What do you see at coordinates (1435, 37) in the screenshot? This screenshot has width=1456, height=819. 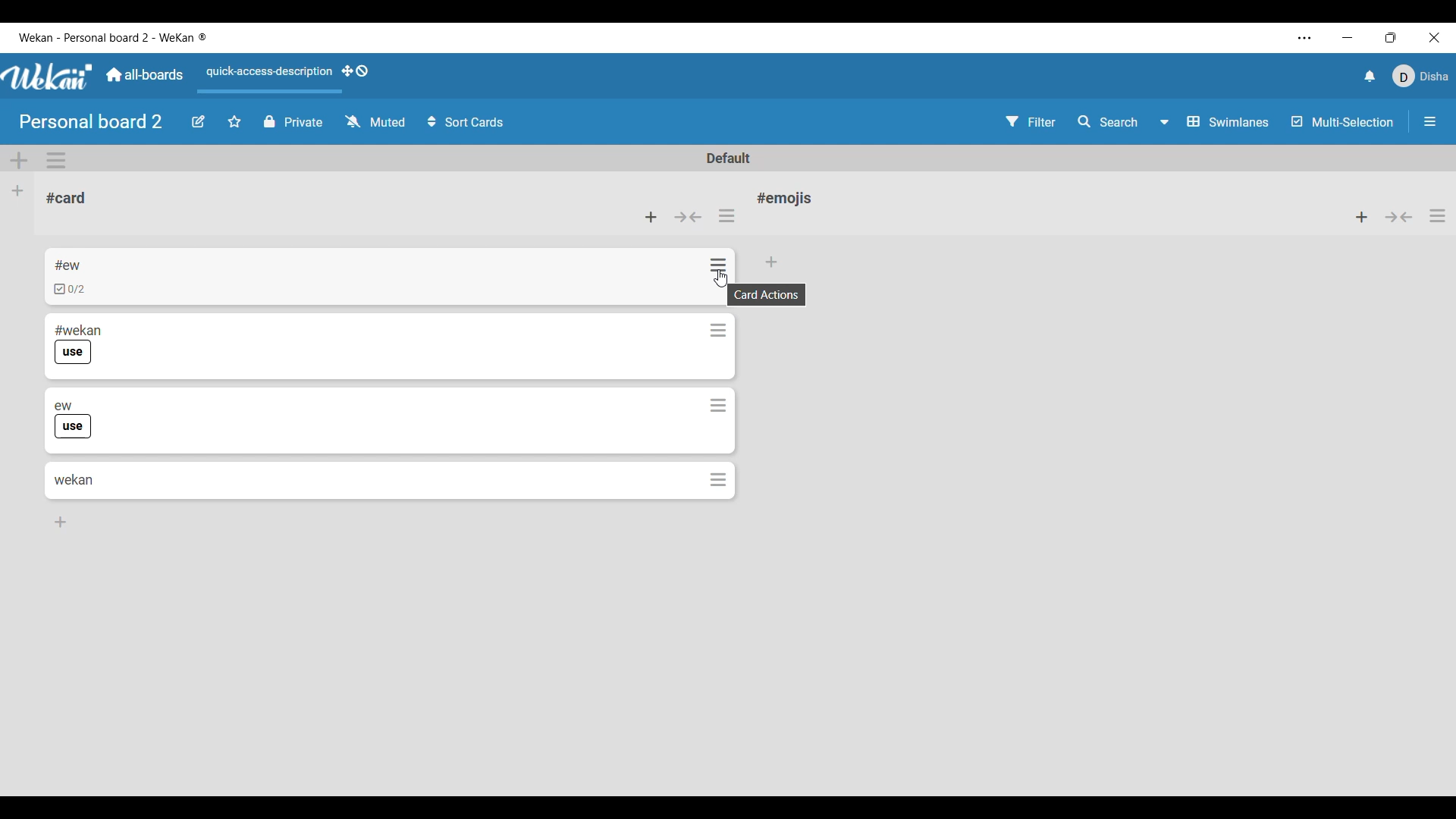 I see `Close interface` at bounding box center [1435, 37].